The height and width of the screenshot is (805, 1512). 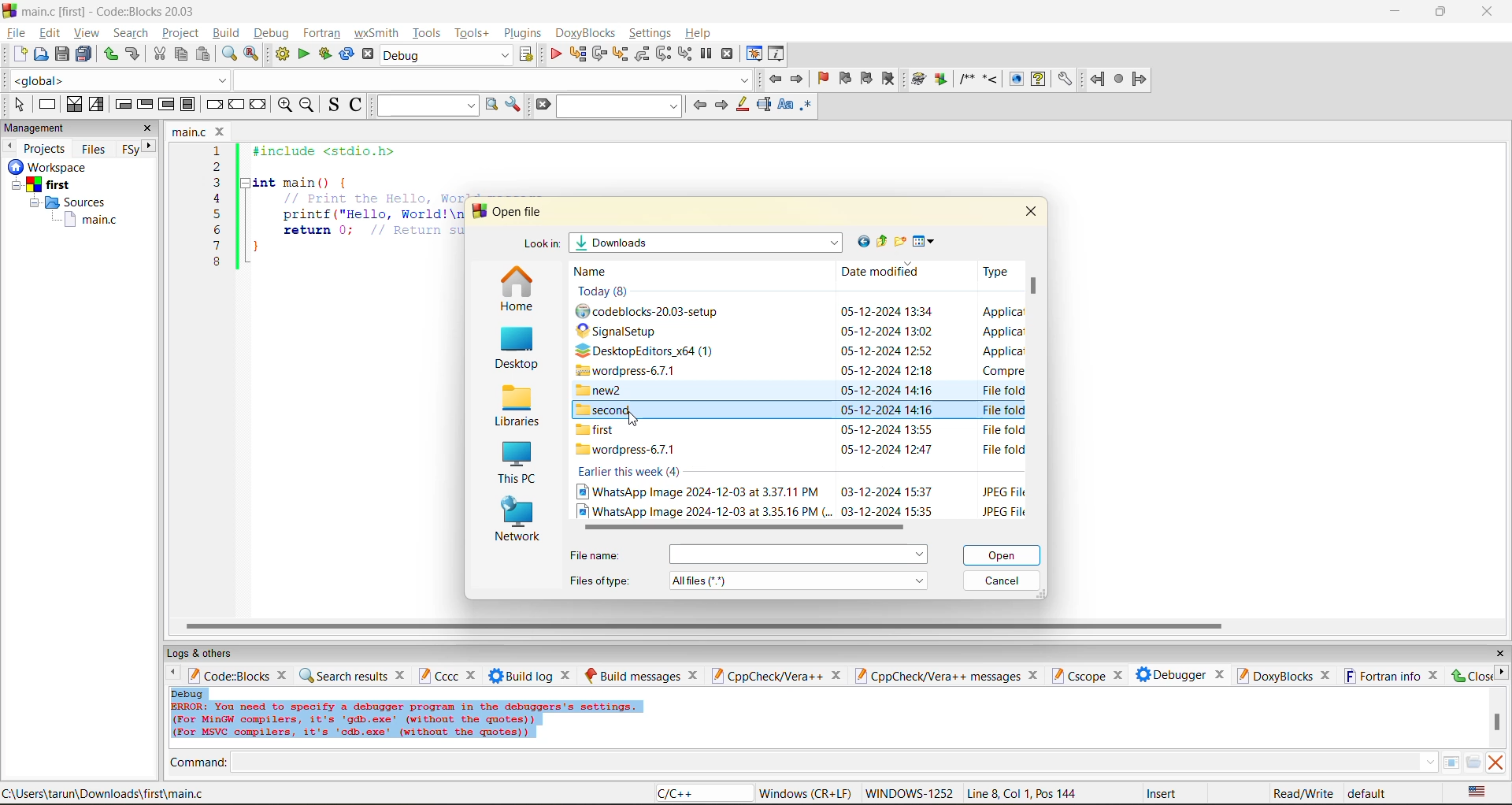 I want to click on wordpress-6.7.1, so click(x=627, y=451).